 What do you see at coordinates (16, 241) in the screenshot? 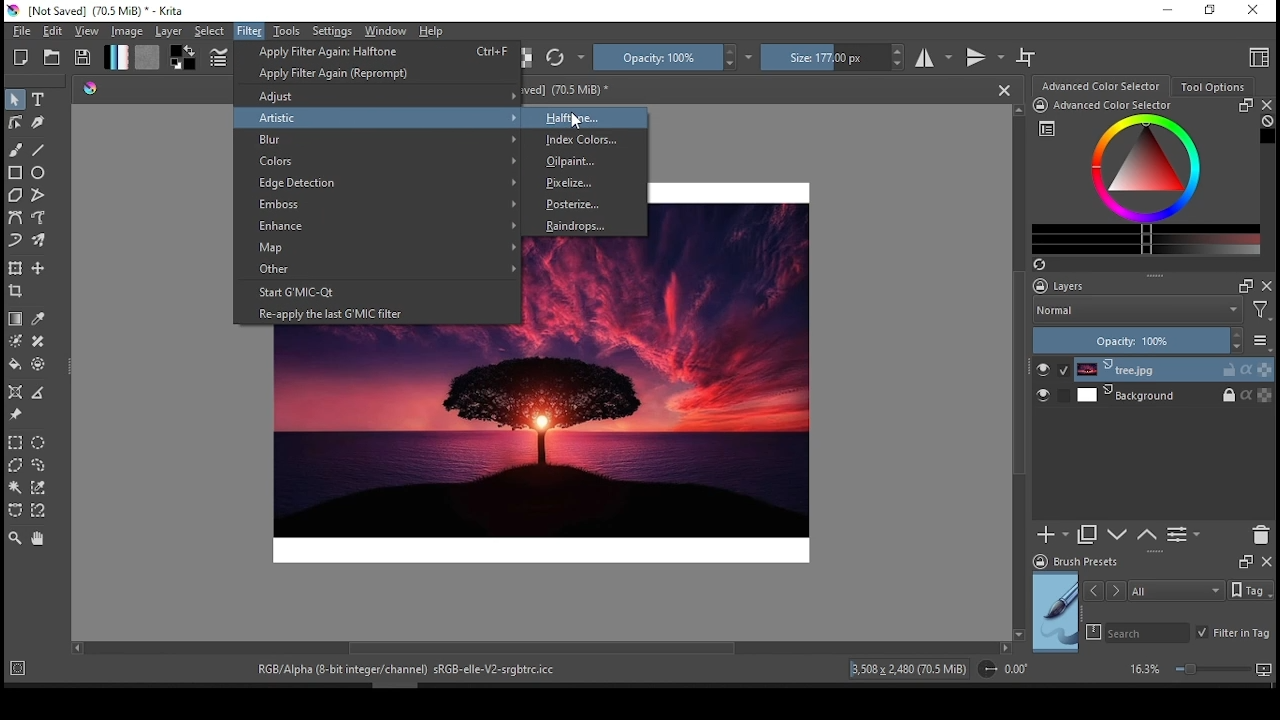
I see `dynamic brush tool` at bounding box center [16, 241].